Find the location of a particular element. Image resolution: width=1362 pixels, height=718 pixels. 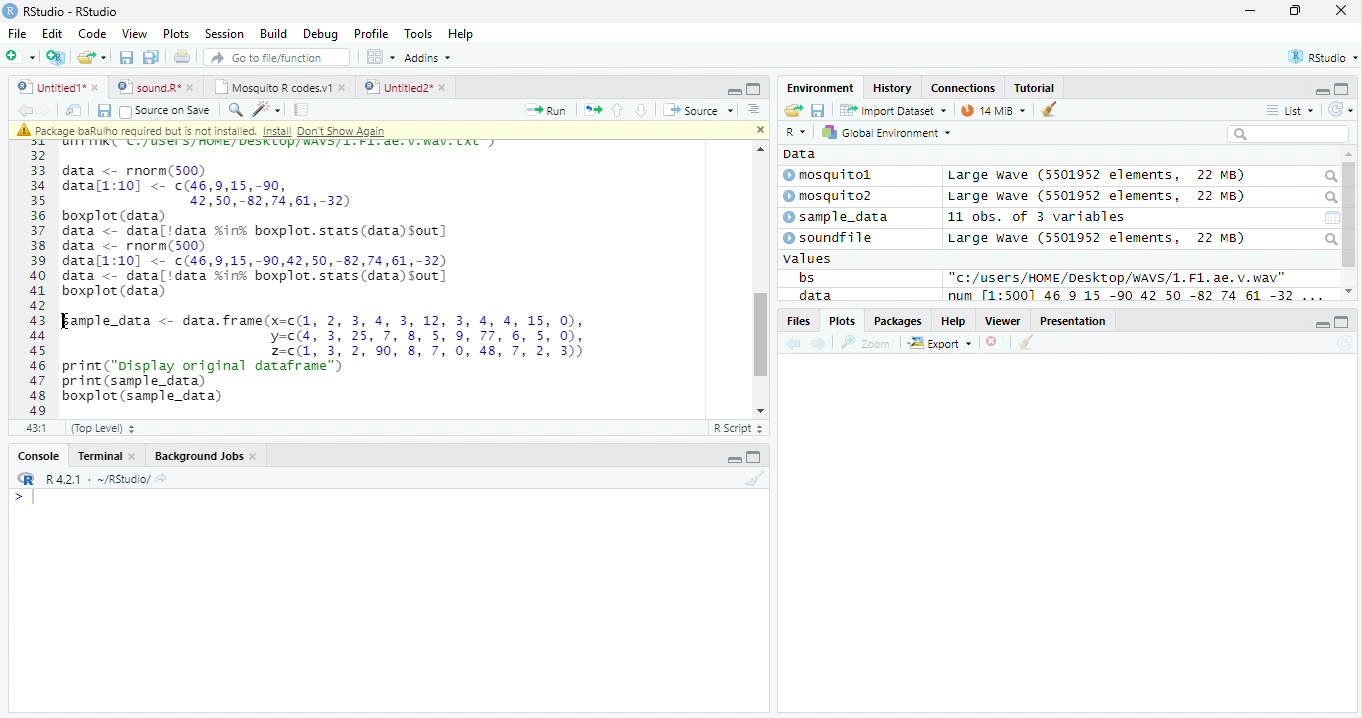

Find is located at coordinates (235, 110).